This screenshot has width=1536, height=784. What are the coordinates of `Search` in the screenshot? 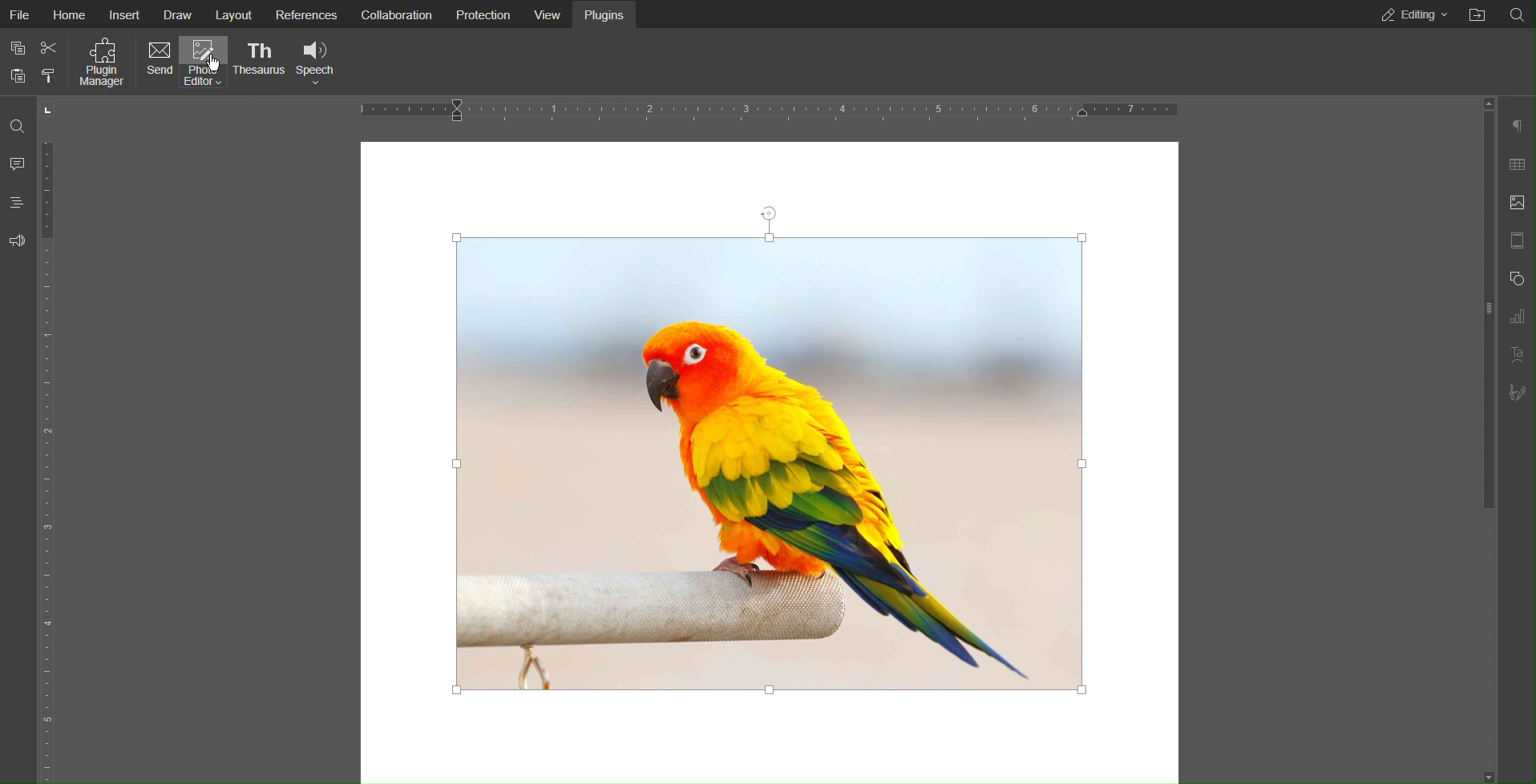 It's located at (1518, 14).